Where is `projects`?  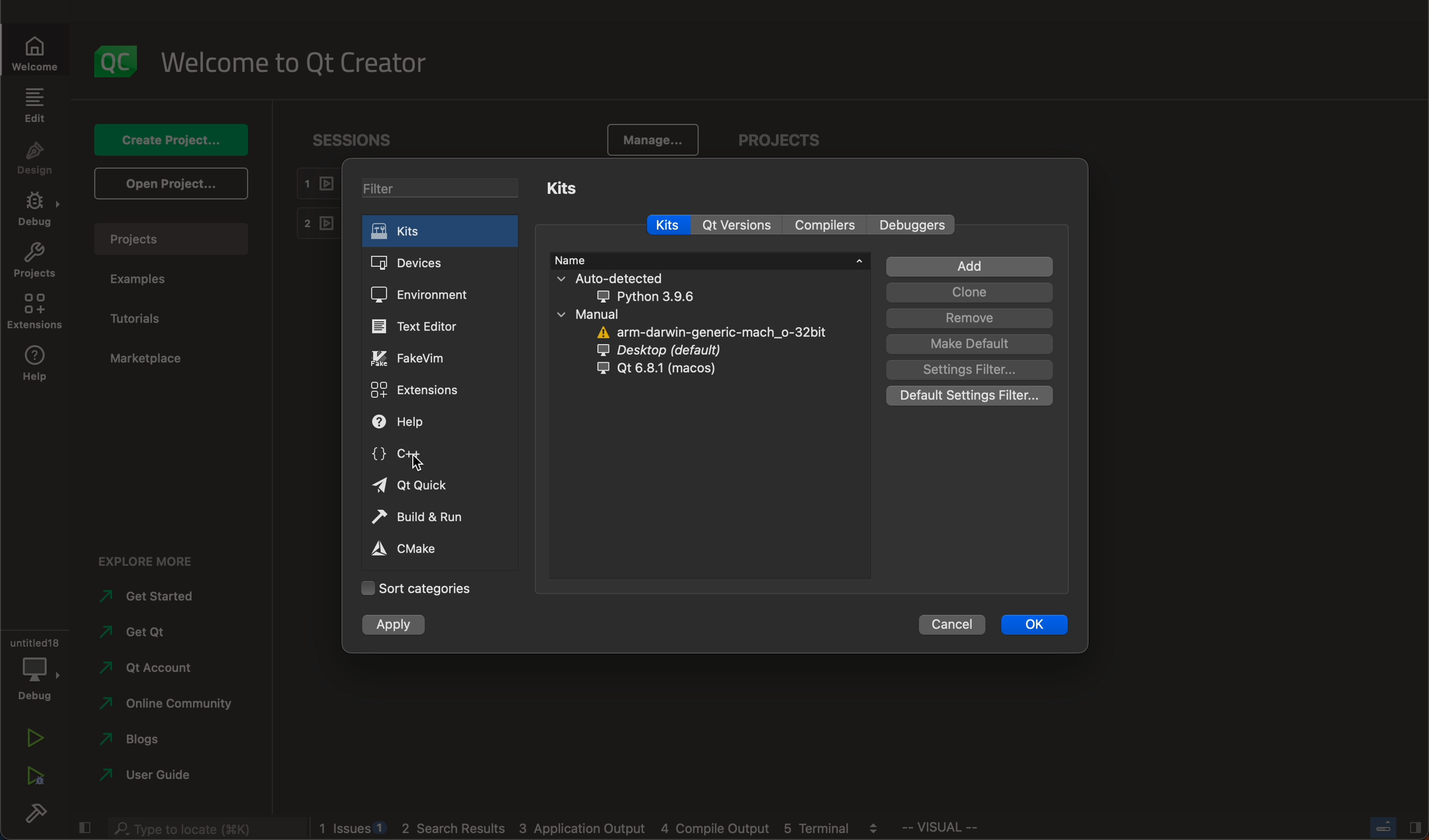
projects is located at coordinates (785, 142).